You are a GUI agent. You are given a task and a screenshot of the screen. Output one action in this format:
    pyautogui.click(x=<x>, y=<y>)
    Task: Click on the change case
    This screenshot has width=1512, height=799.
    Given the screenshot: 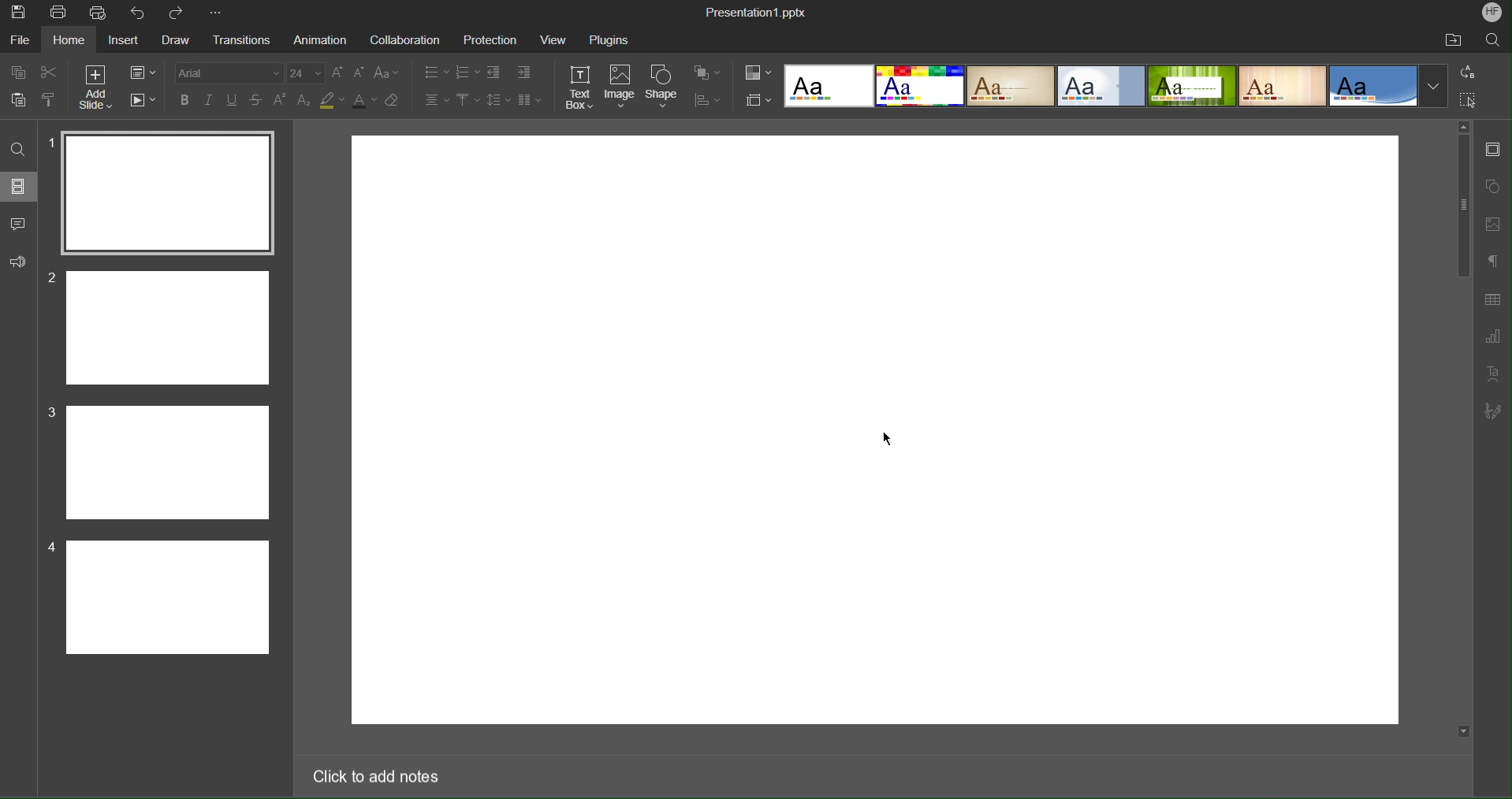 What is the action you would take?
    pyautogui.click(x=388, y=72)
    